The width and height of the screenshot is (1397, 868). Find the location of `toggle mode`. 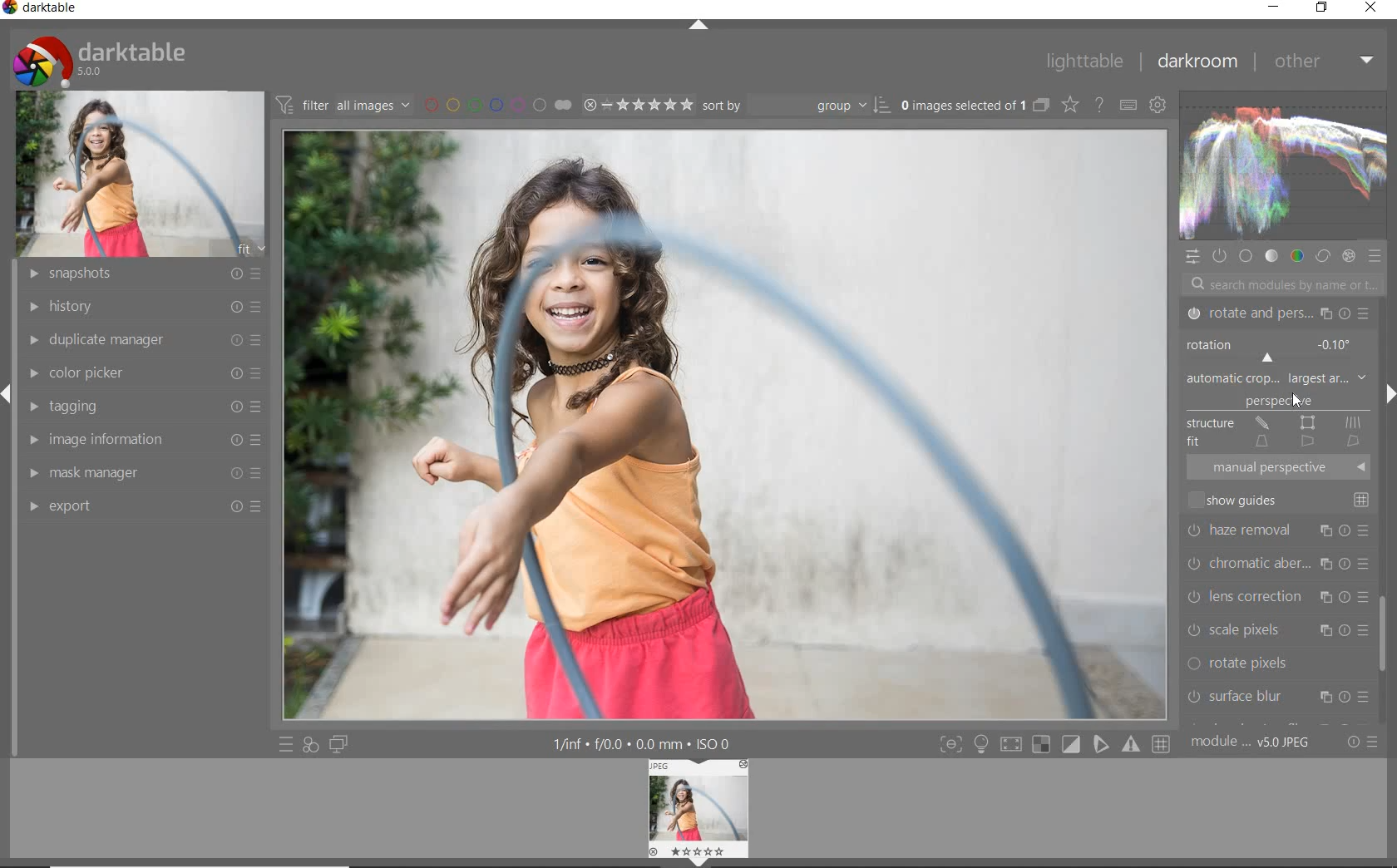

toggle mode is located at coordinates (1054, 744).